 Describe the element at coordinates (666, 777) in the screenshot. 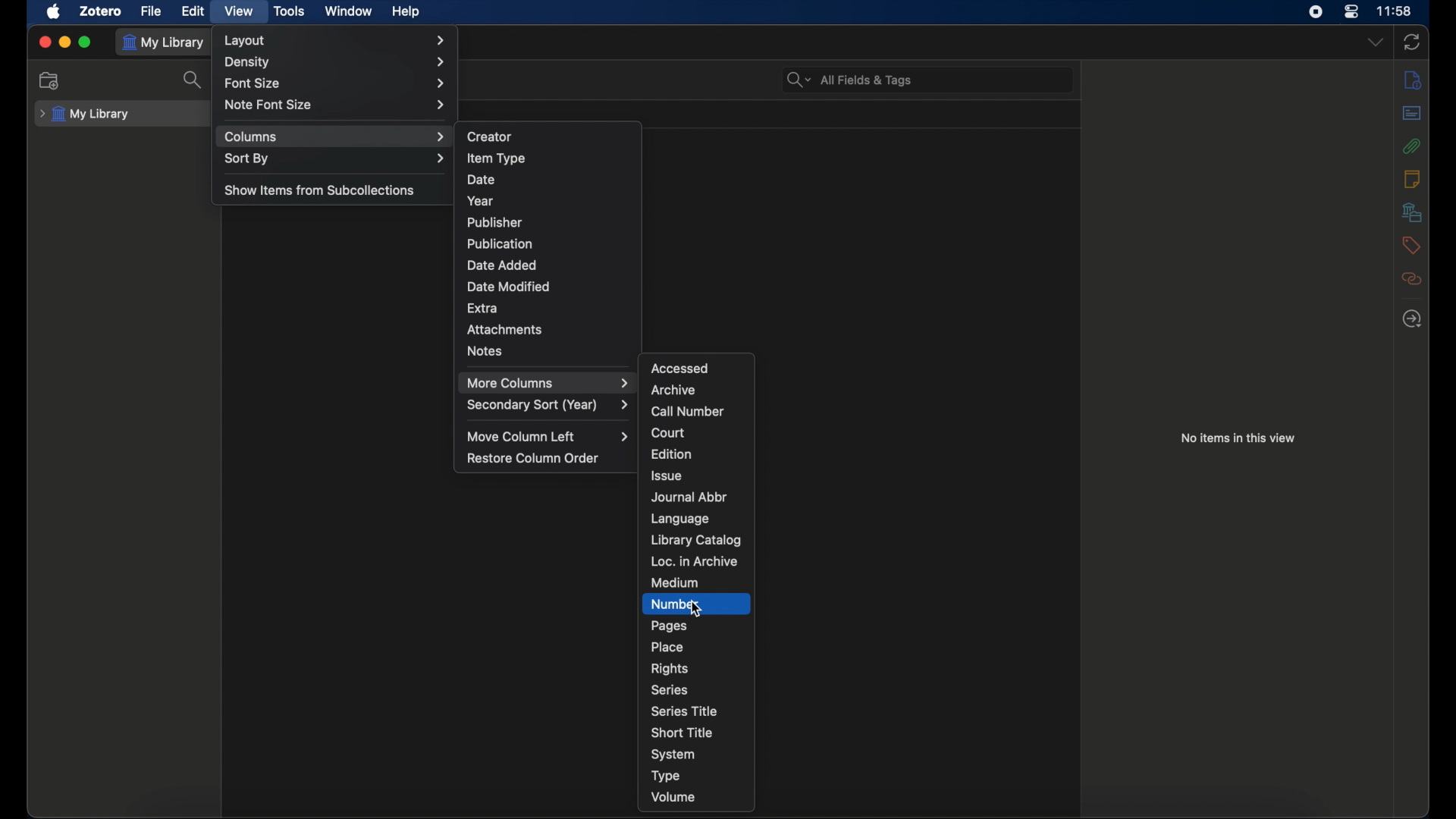

I see `type` at that location.